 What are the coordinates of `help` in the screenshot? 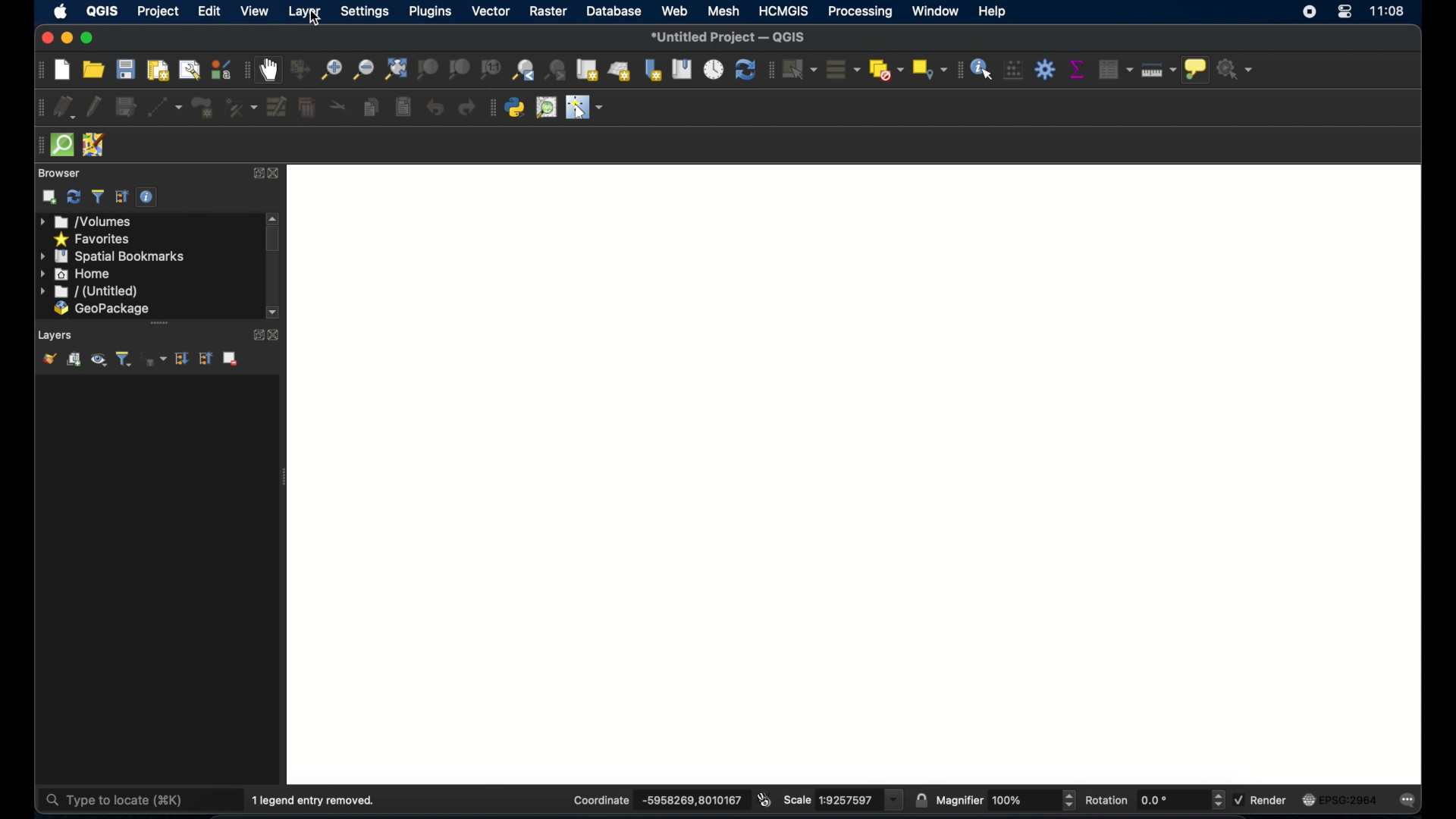 It's located at (994, 12).